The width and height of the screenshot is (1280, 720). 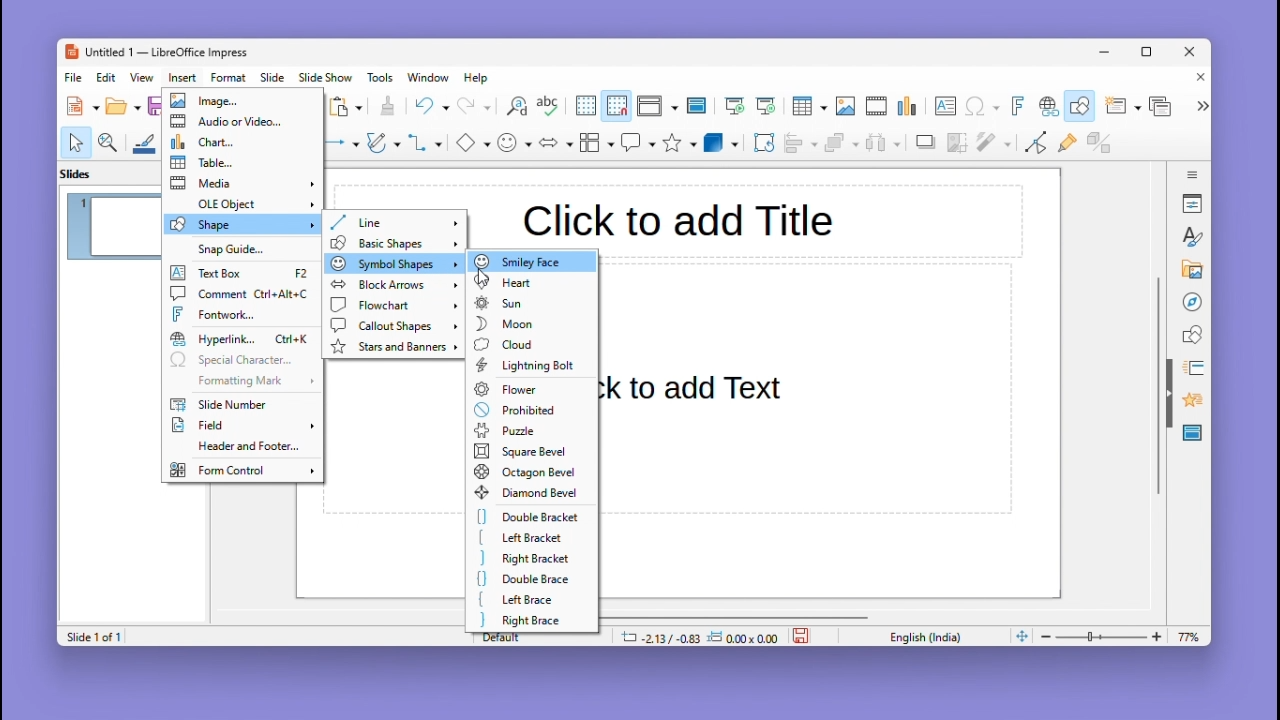 I want to click on paste, so click(x=347, y=107).